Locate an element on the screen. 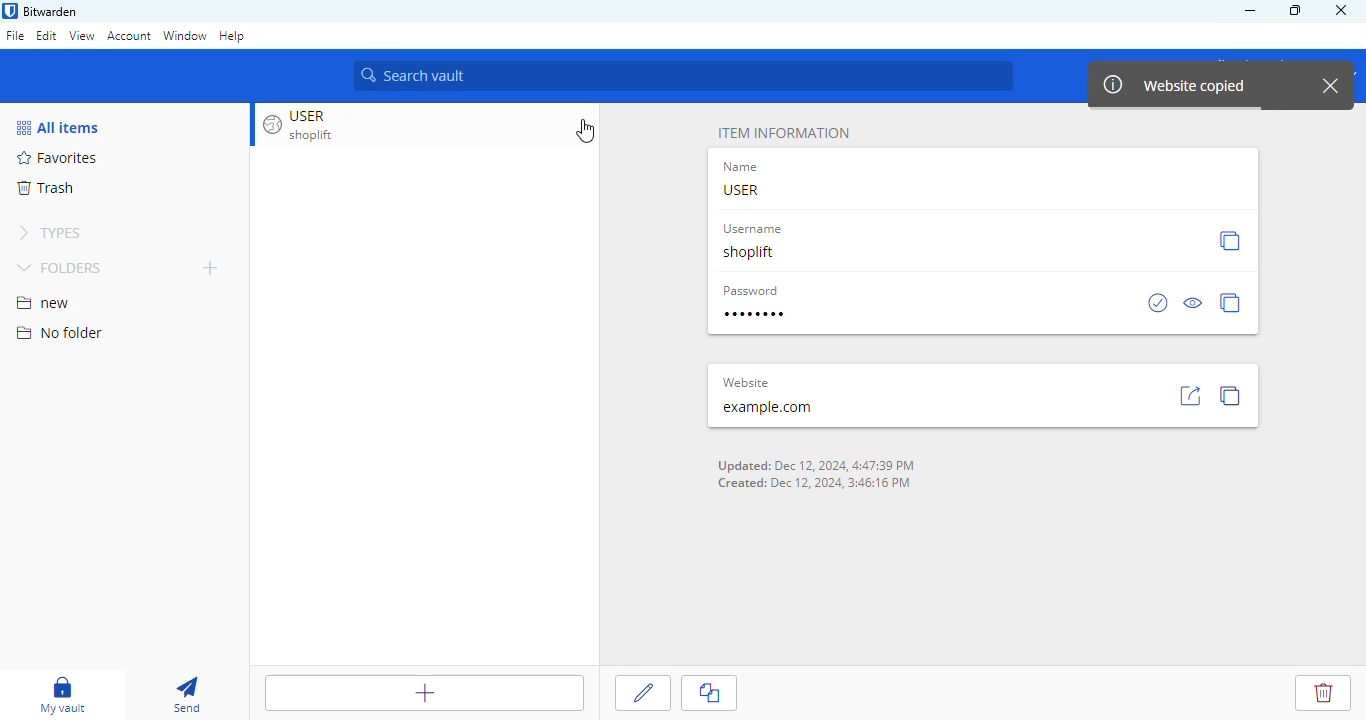  password is located at coordinates (750, 291).